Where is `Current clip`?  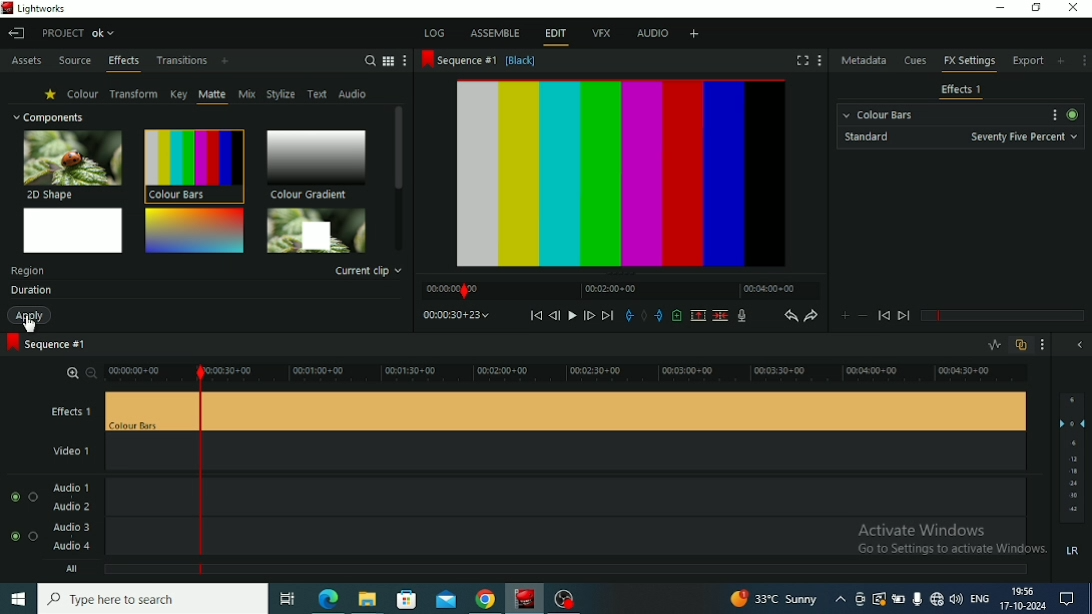 Current clip is located at coordinates (369, 271).